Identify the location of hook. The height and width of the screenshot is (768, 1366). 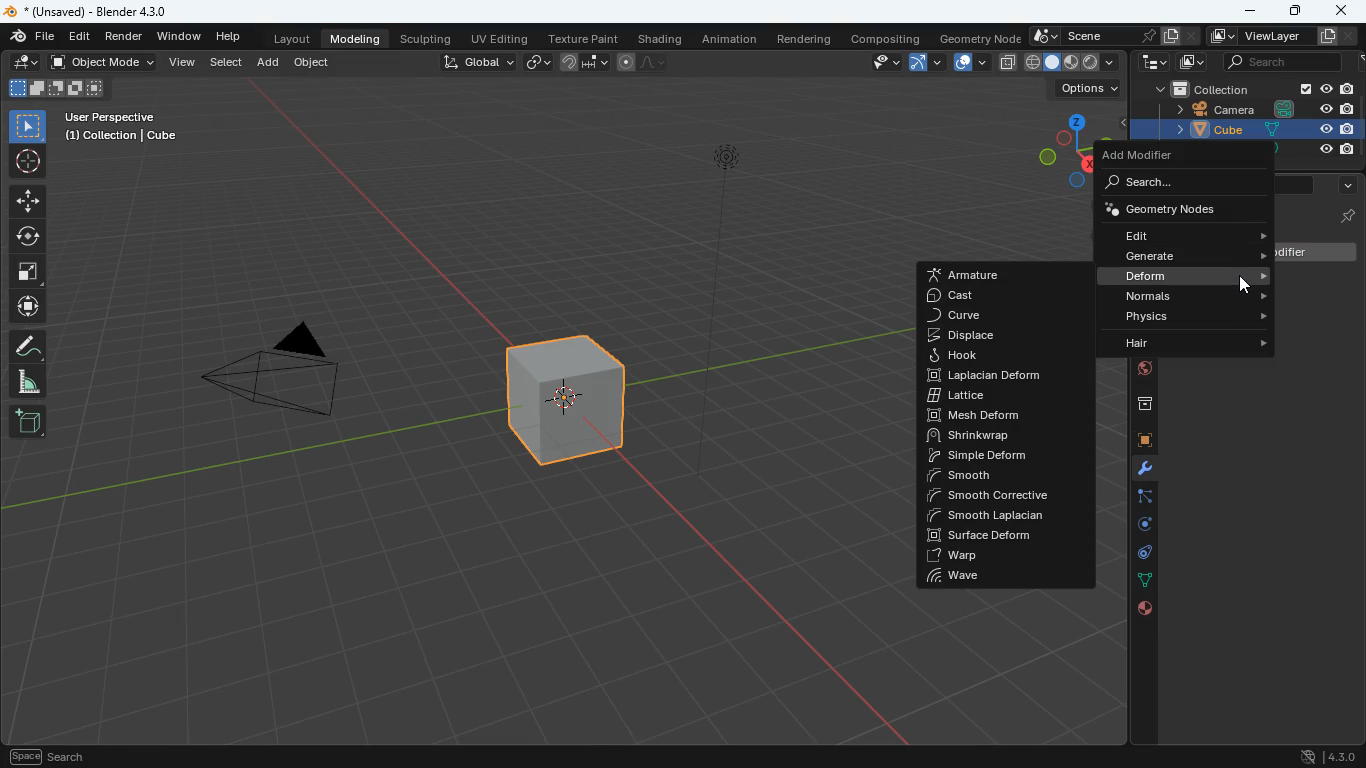
(960, 355).